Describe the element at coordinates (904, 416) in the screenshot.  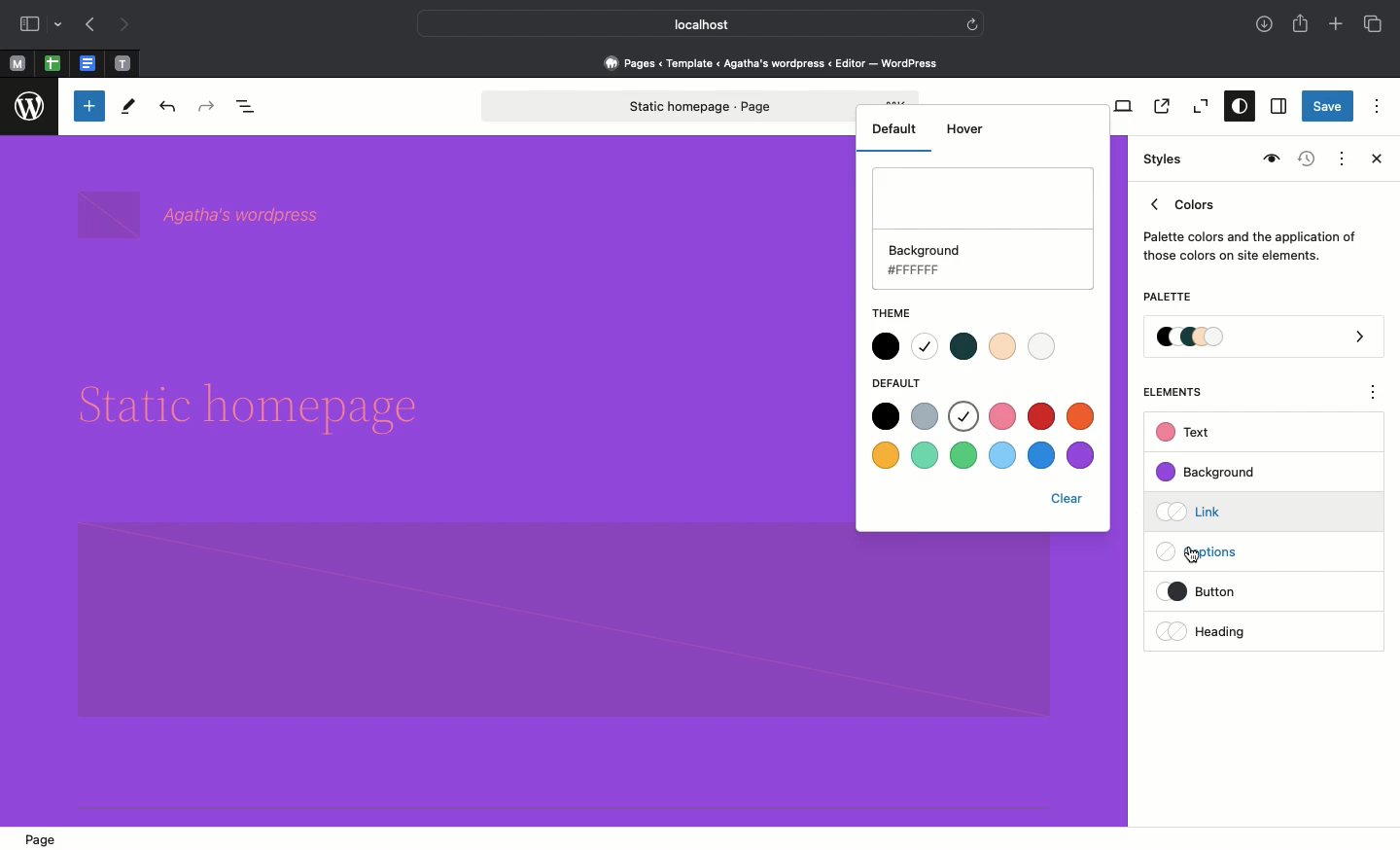
I see `Default color` at that location.